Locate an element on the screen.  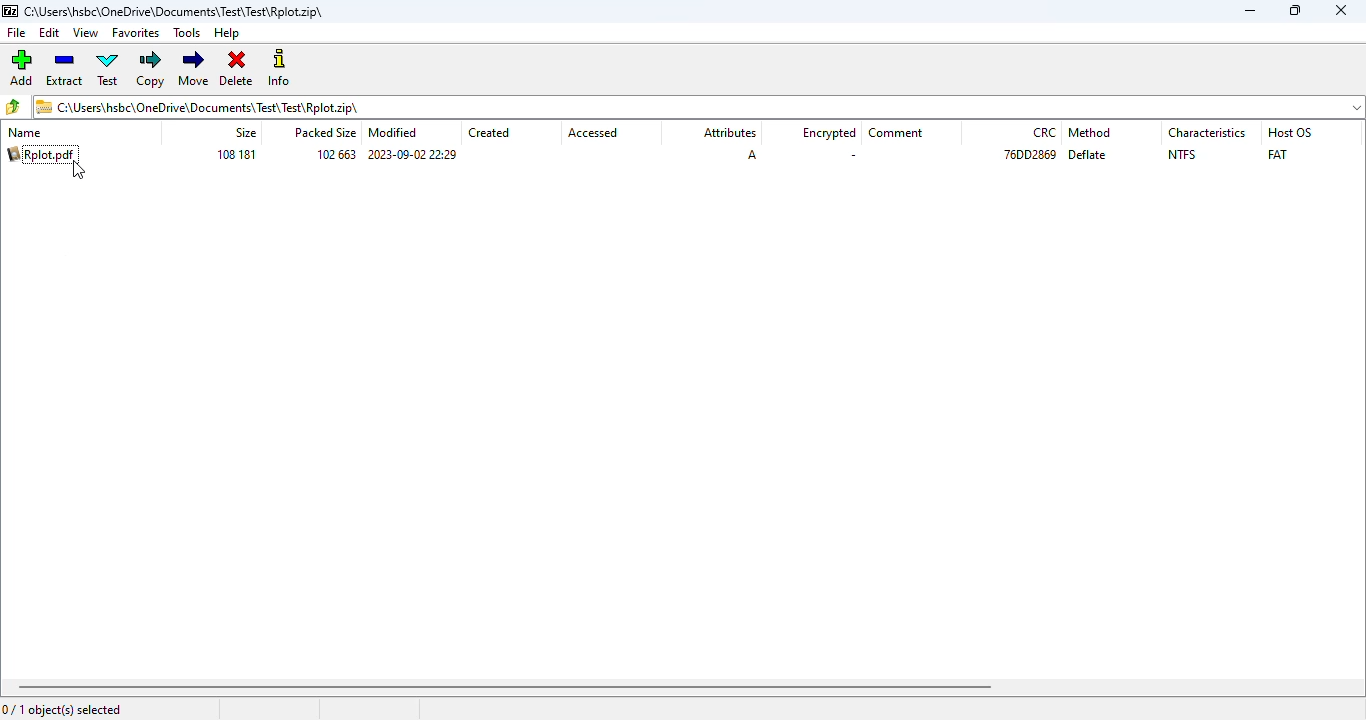
view is located at coordinates (85, 33).